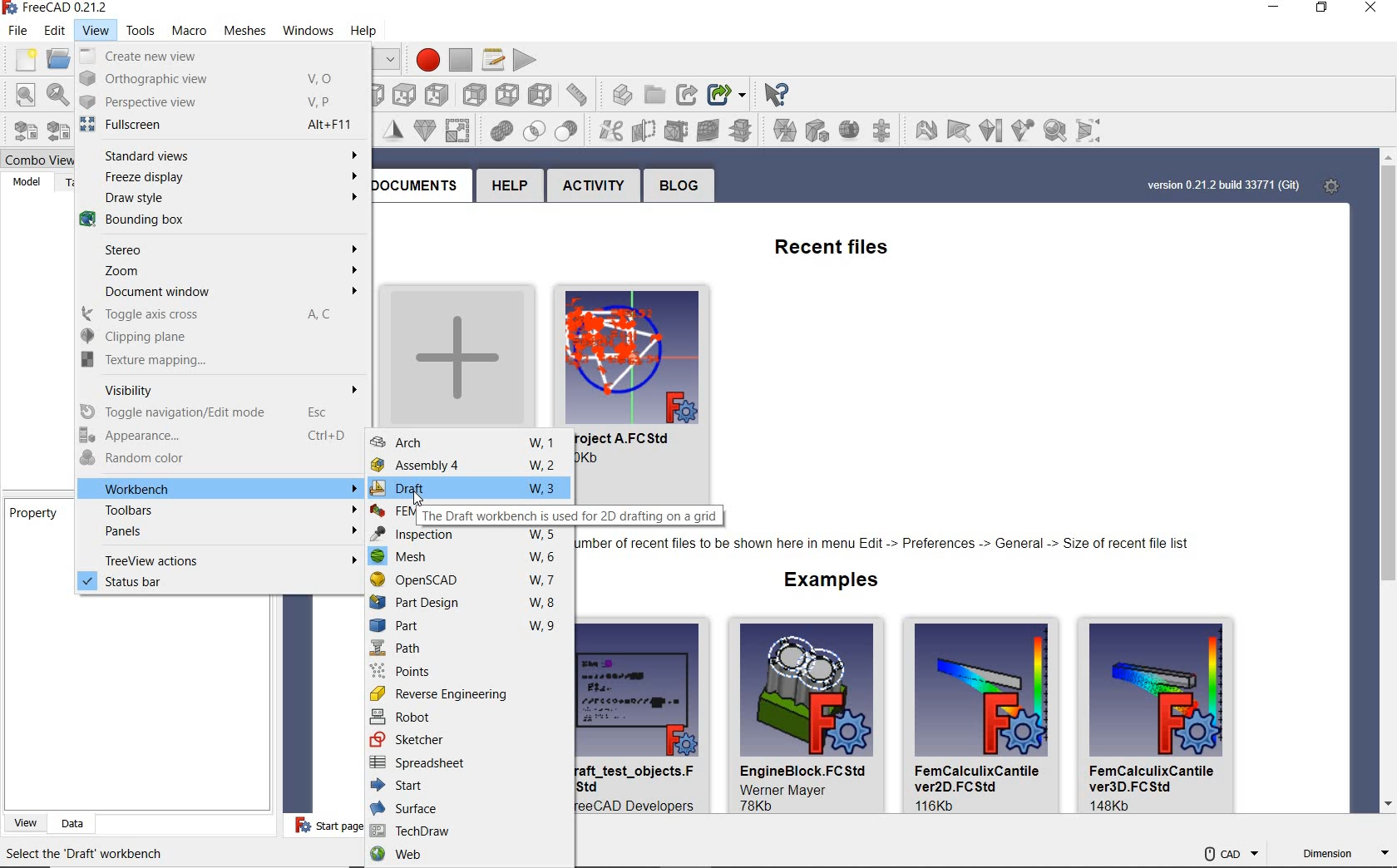 The image size is (1397, 868). I want to click on solid mesh, so click(1055, 129).